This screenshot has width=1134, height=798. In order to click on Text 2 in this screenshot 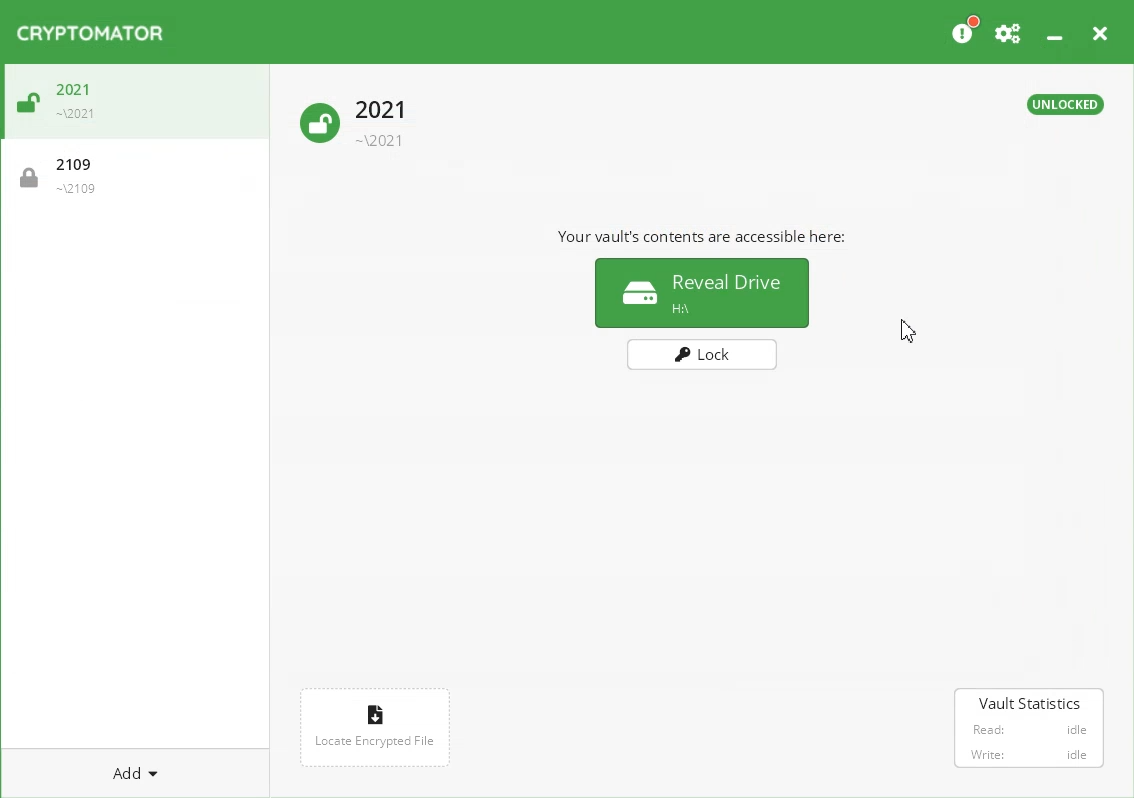, I will do `click(1068, 105)`.